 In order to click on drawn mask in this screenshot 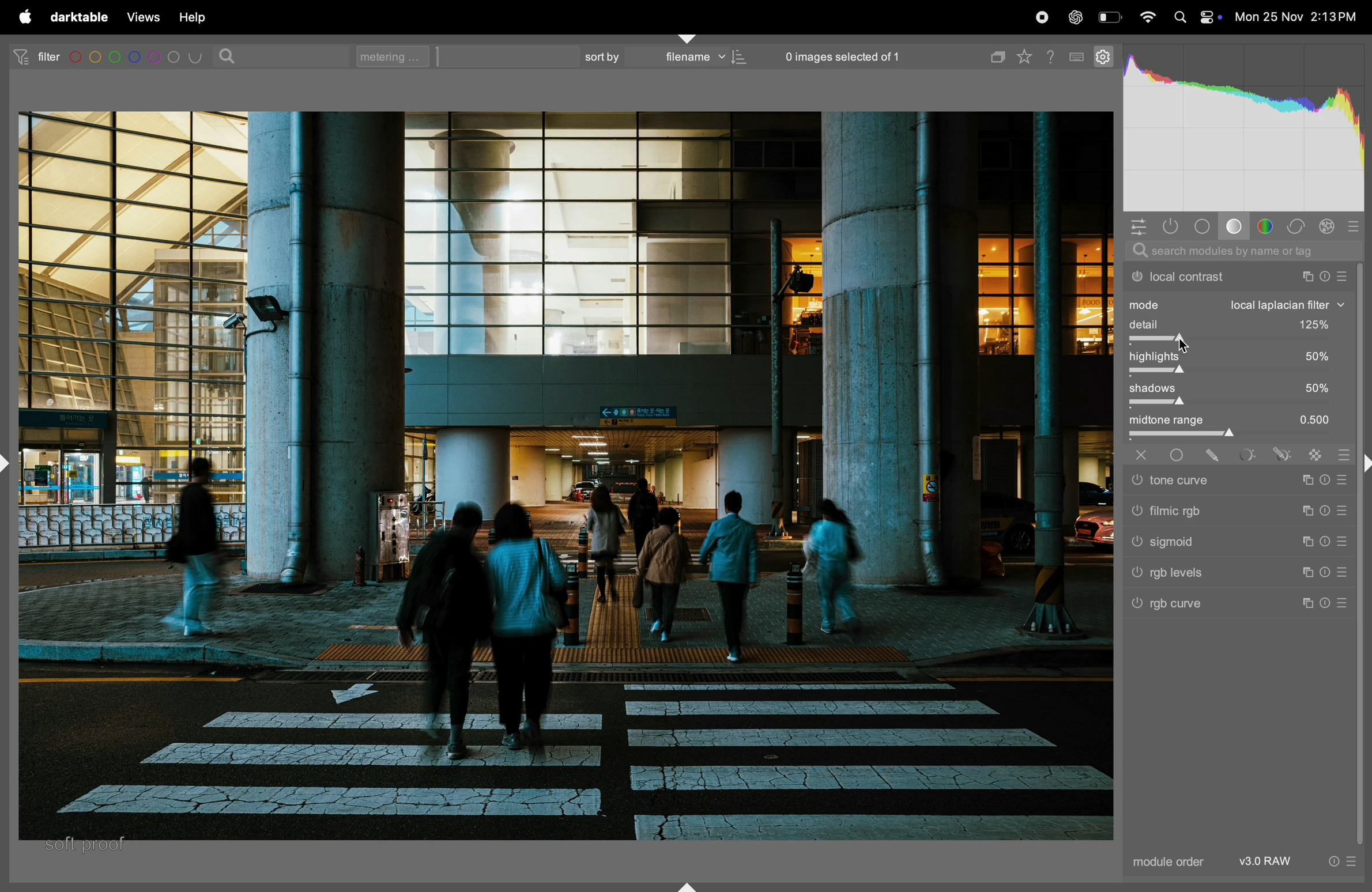, I will do `click(1216, 456)`.